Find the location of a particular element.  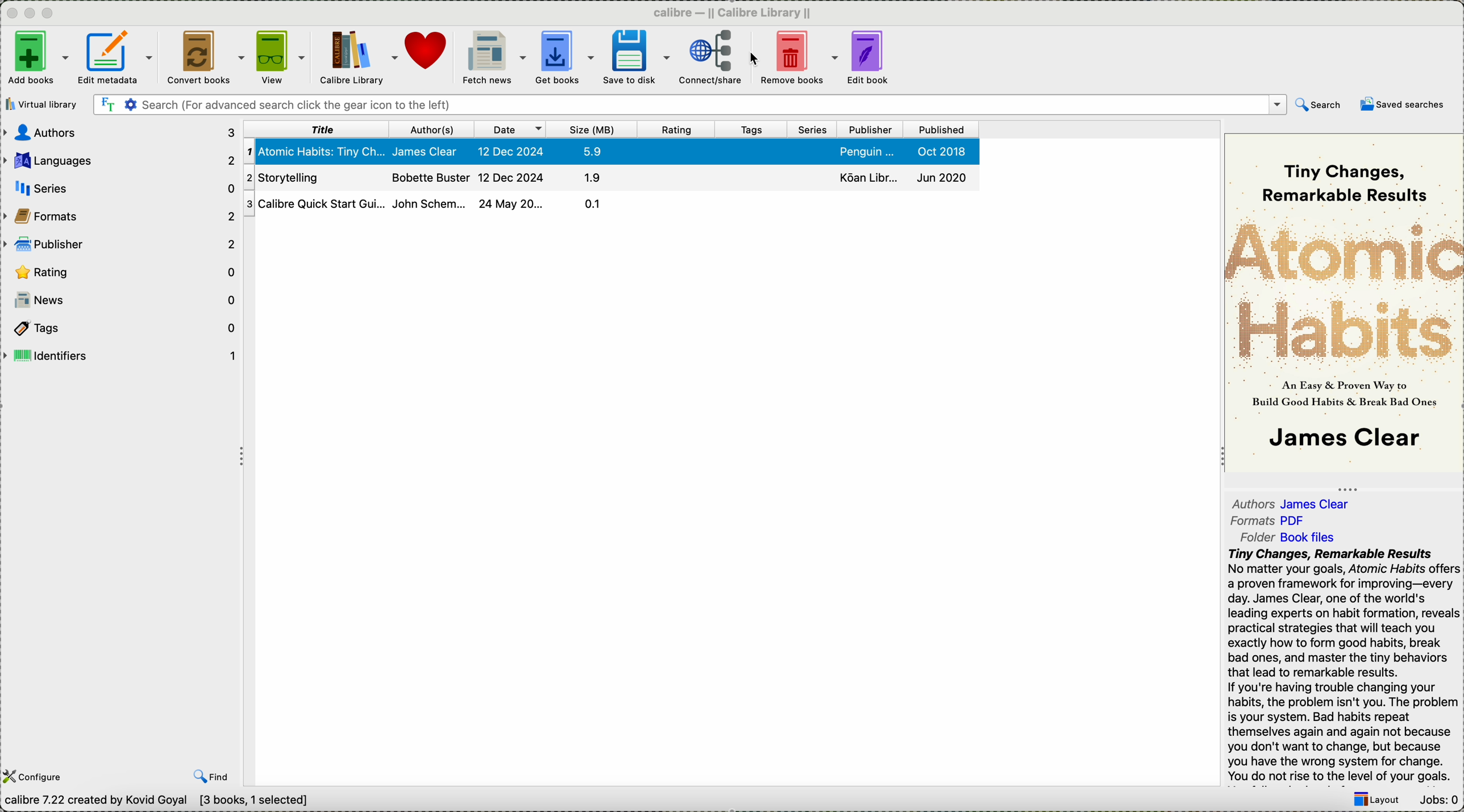

series is located at coordinates (816, 130).